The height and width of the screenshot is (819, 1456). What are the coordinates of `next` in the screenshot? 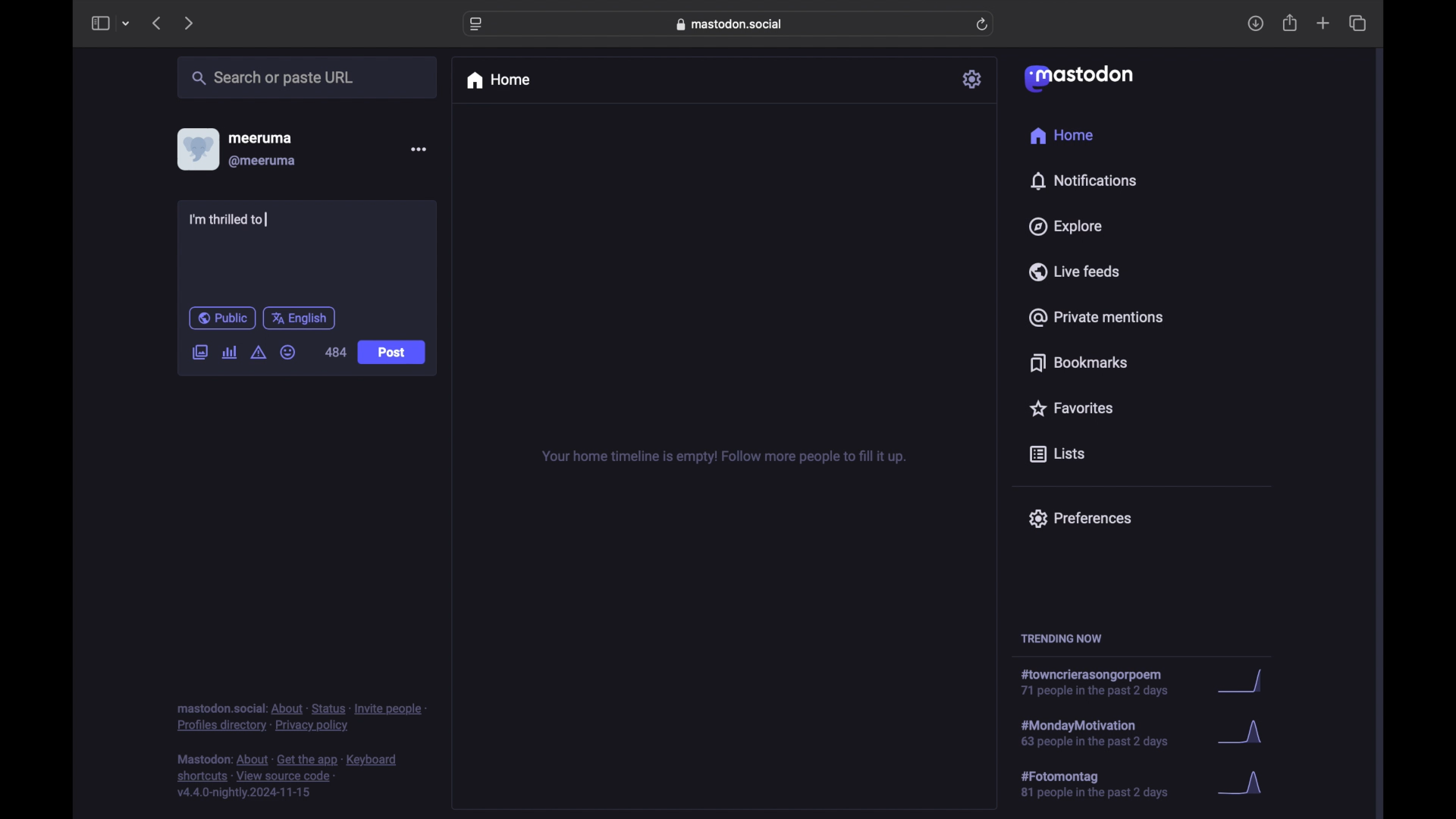 It's located at (188, 24).